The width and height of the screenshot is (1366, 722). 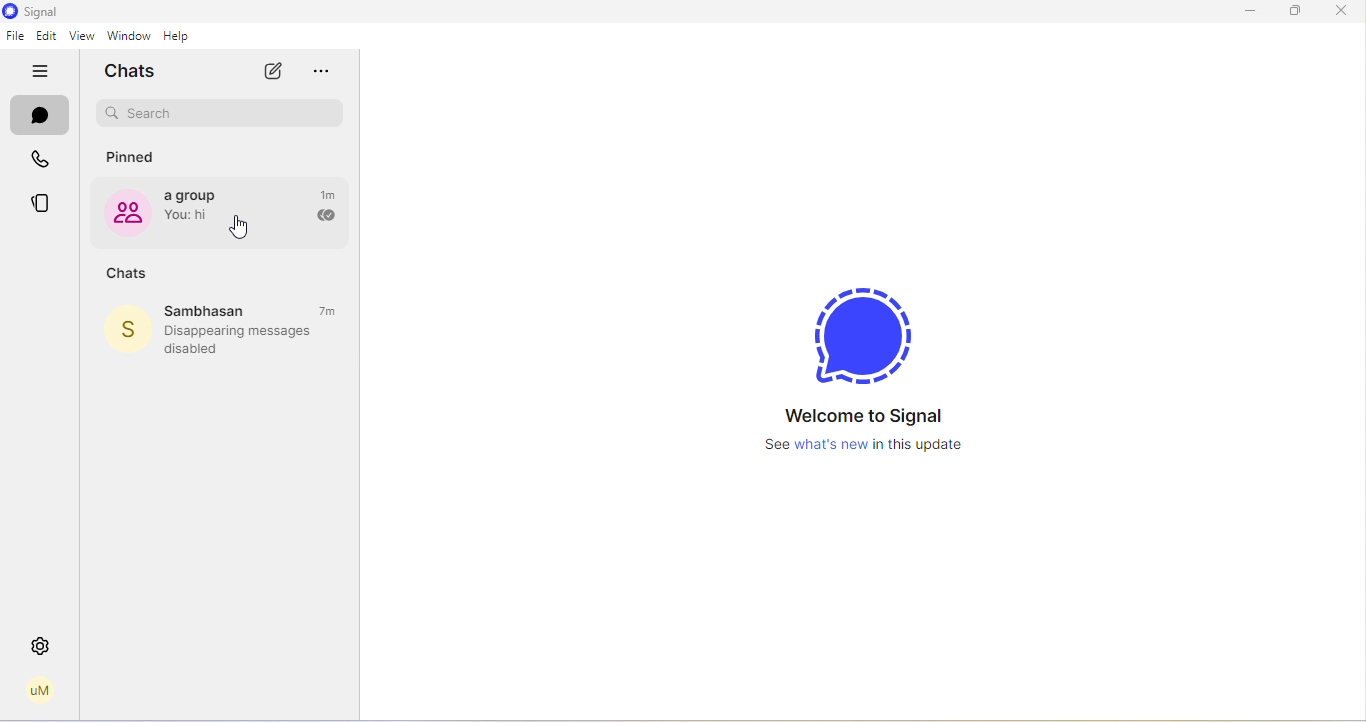 I want to click on minimize, so click(x=1246, y=12).